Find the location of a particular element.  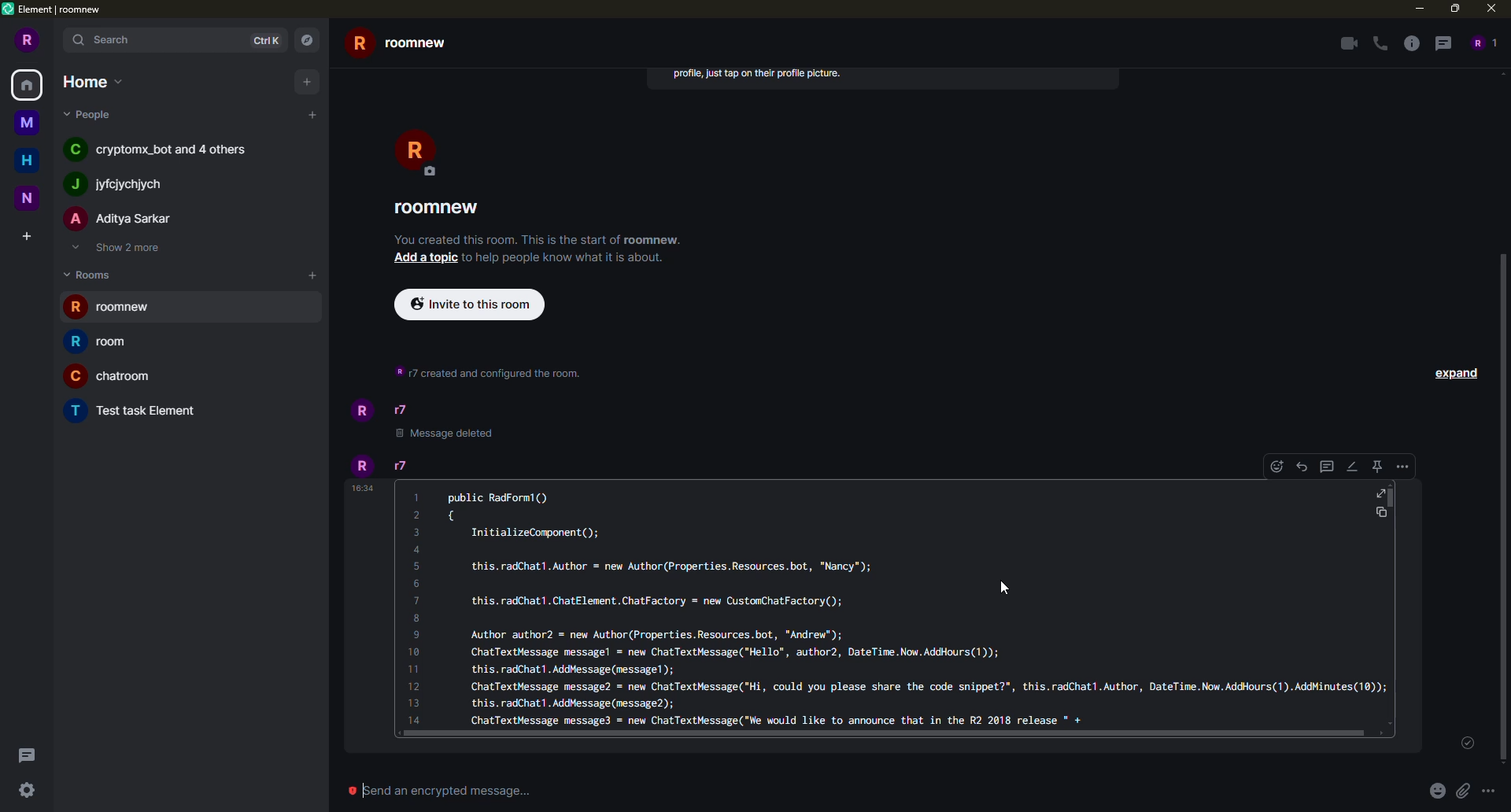

send message is located at coordinates (437, 791).